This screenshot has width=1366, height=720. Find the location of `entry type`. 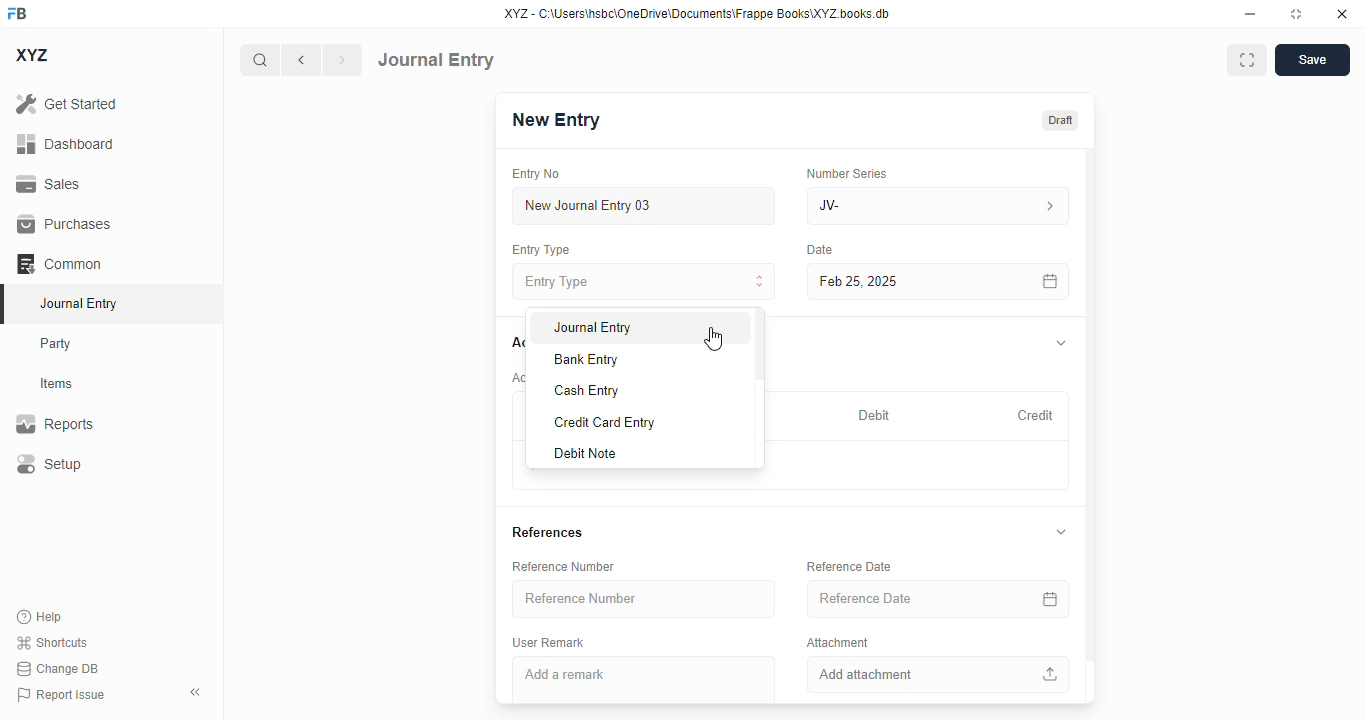

entry type is located at coordinates (643, 281).